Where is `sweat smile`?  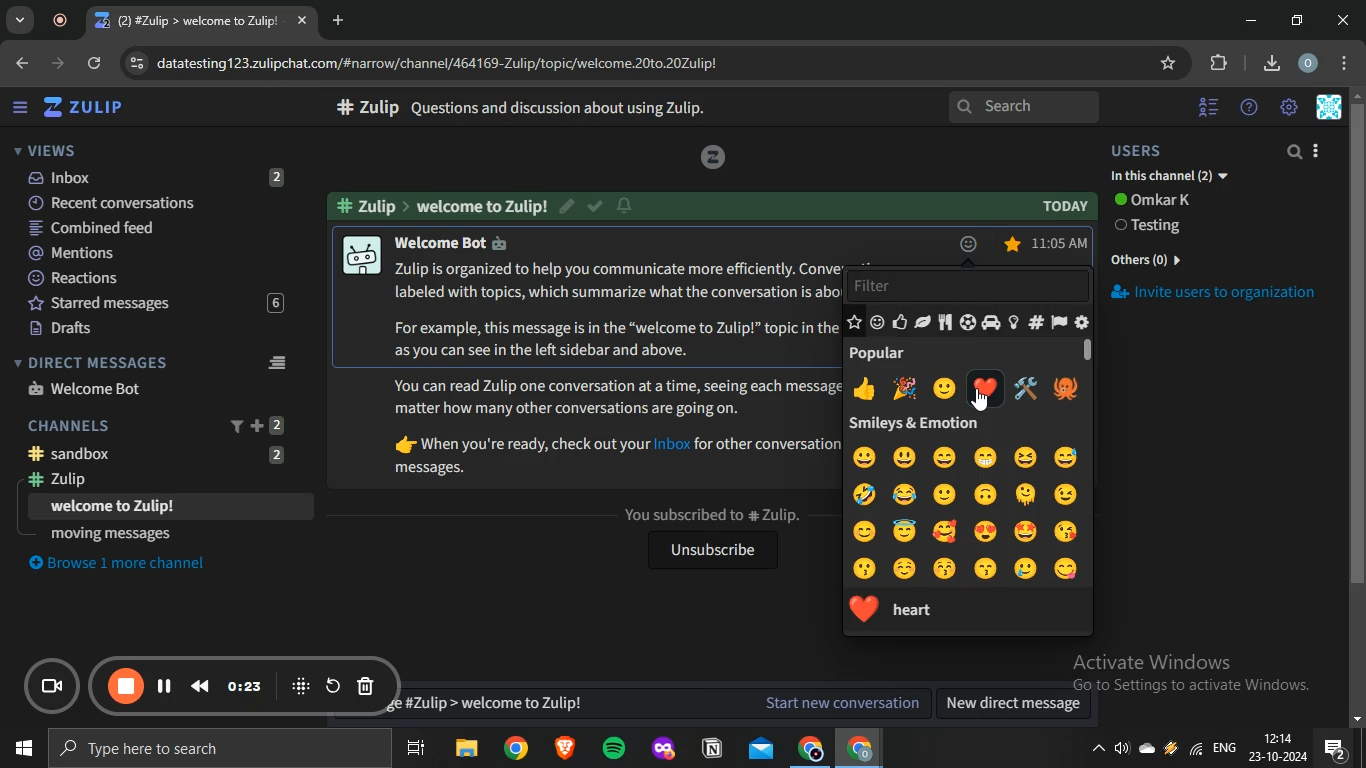 sweat smile is located at coordinates (1065, 456).